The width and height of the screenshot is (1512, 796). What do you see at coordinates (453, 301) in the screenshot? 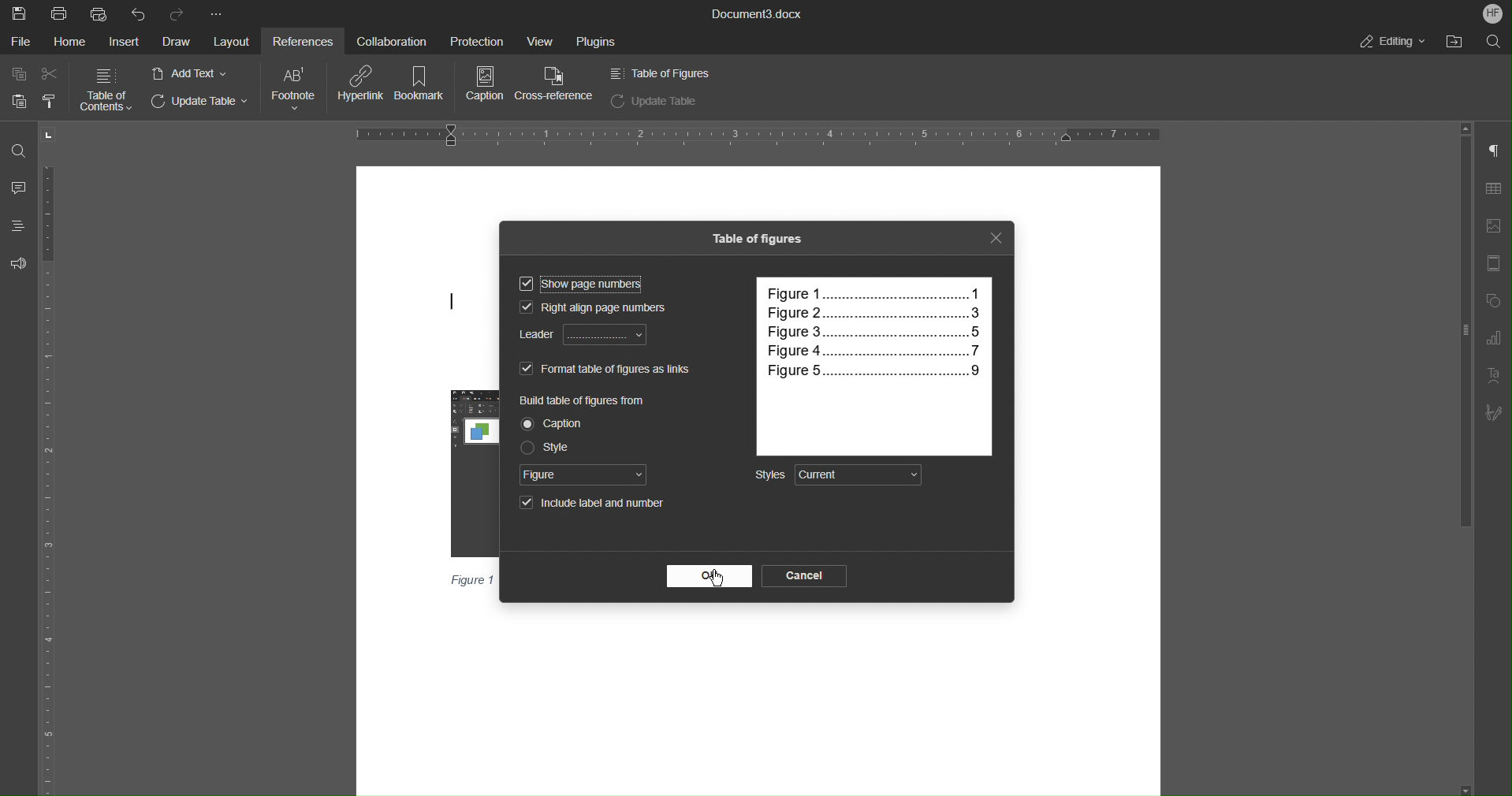
I see `text cursor` at bounding box center [453, 301].